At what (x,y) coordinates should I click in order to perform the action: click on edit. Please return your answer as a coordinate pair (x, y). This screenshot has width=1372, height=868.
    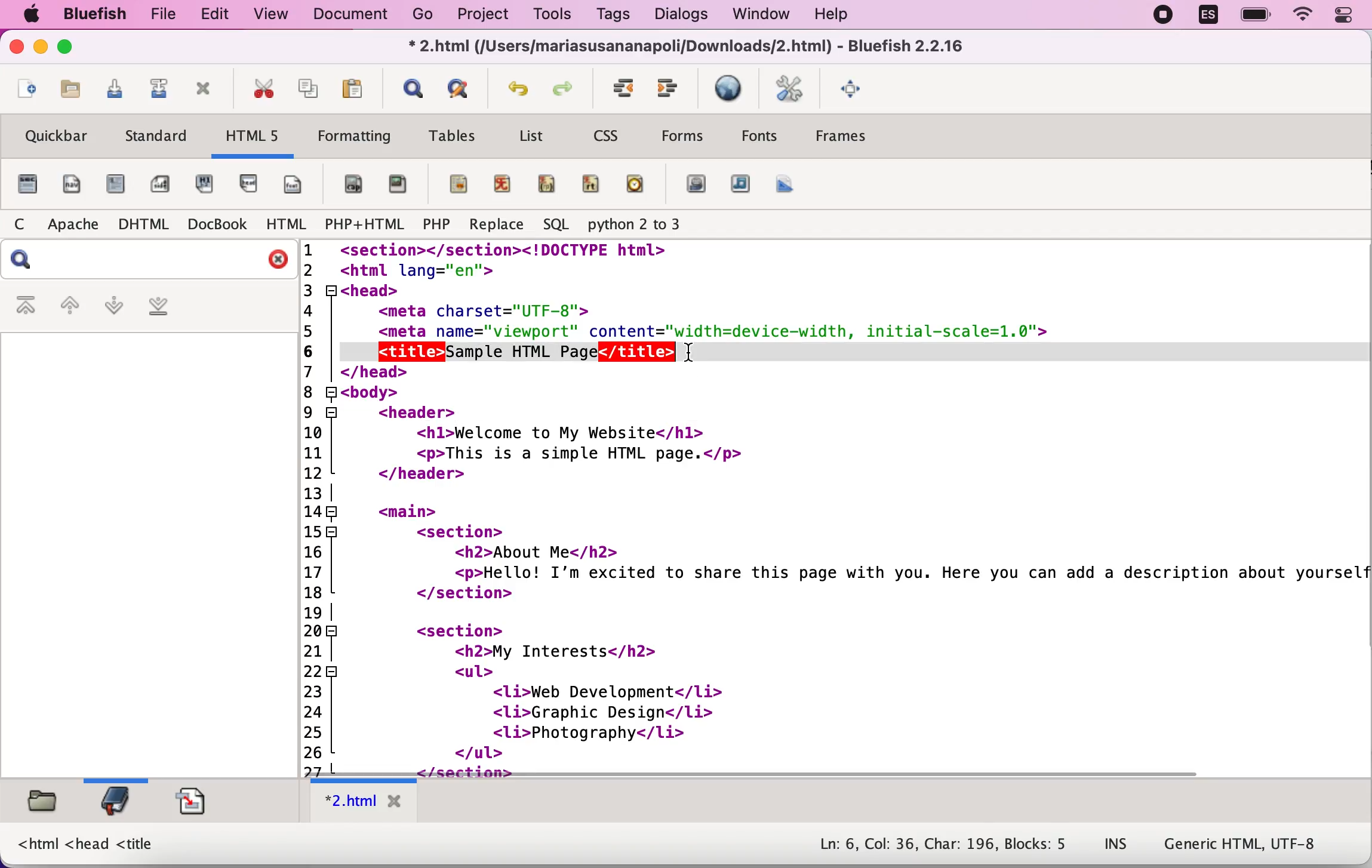
    Looking at the image, I should click on (222, 16).